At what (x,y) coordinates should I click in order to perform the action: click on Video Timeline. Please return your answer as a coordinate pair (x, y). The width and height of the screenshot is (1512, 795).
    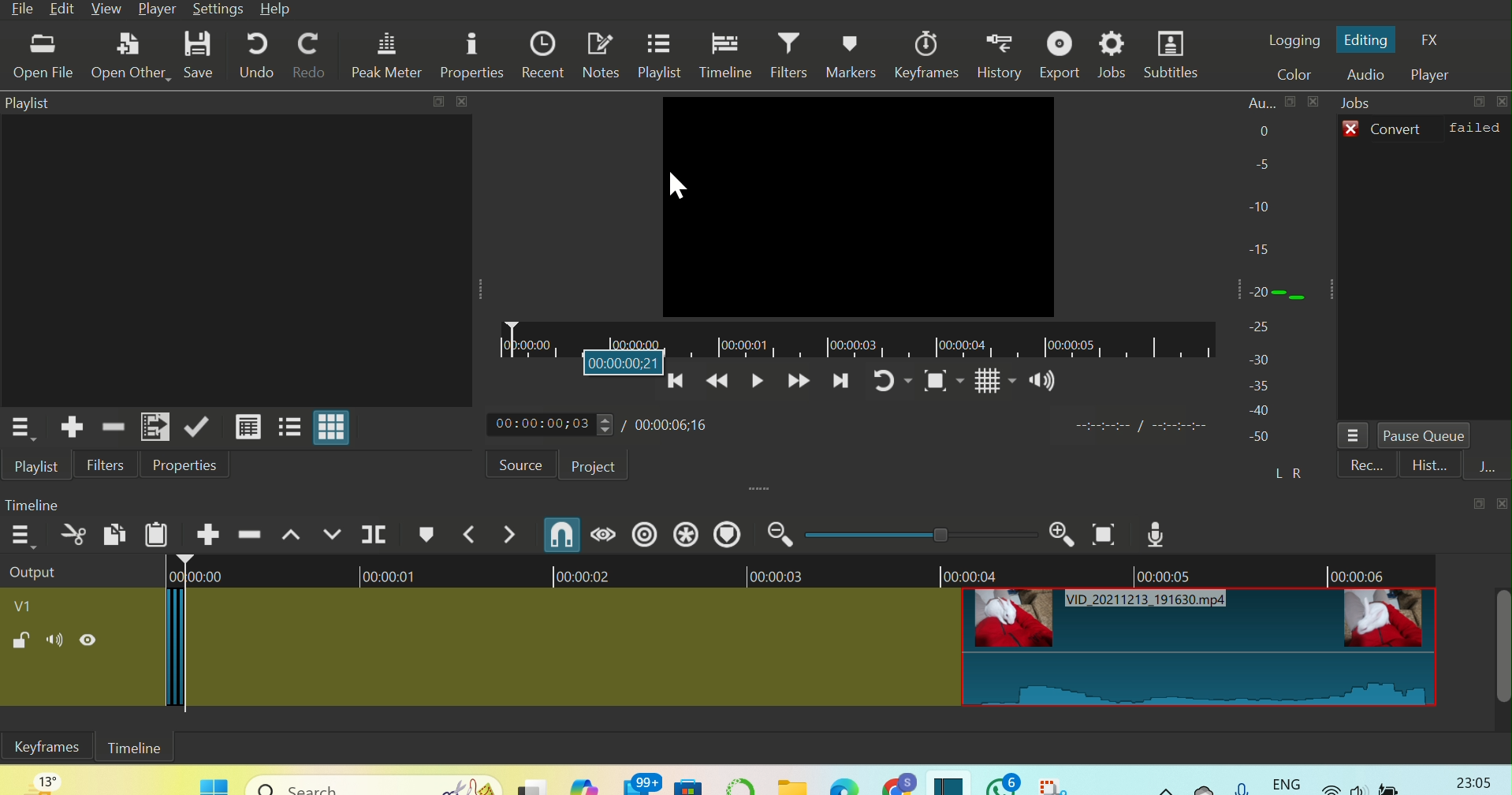
    Looking at the image, I should click on (756, 645).